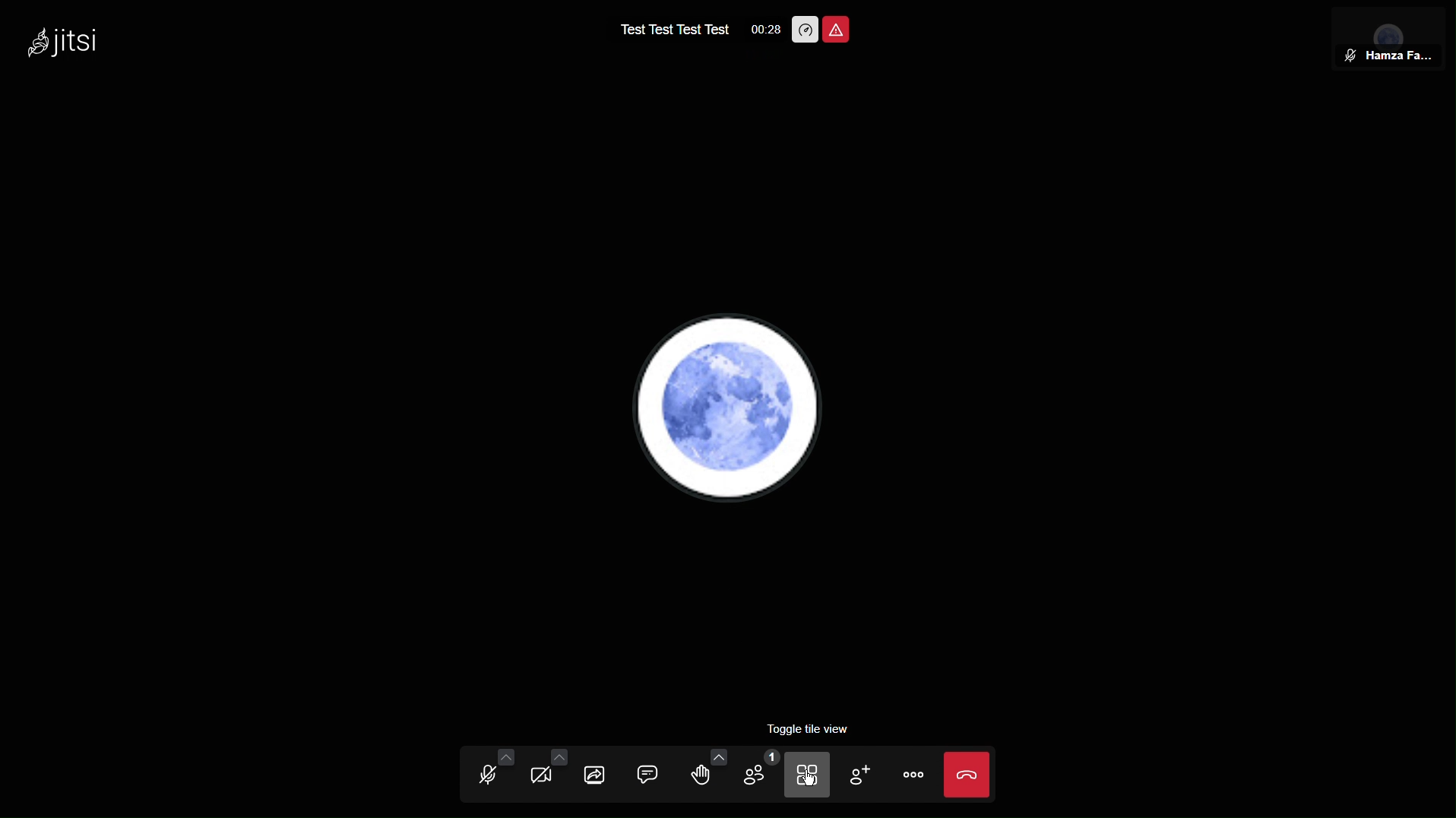 The height and width of the screenshot is (818, 1456). I want to click on cursor, so click(809, 781).